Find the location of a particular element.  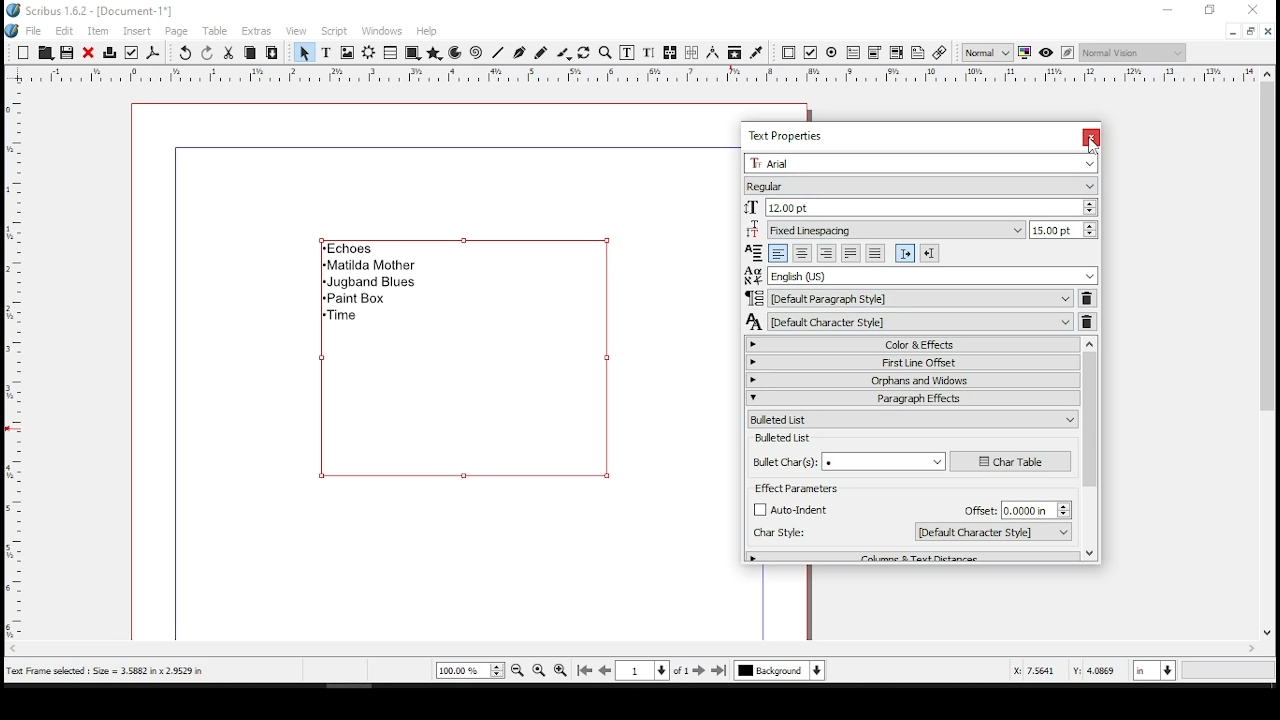

pdf combo box is located at coordinates (874, 54).